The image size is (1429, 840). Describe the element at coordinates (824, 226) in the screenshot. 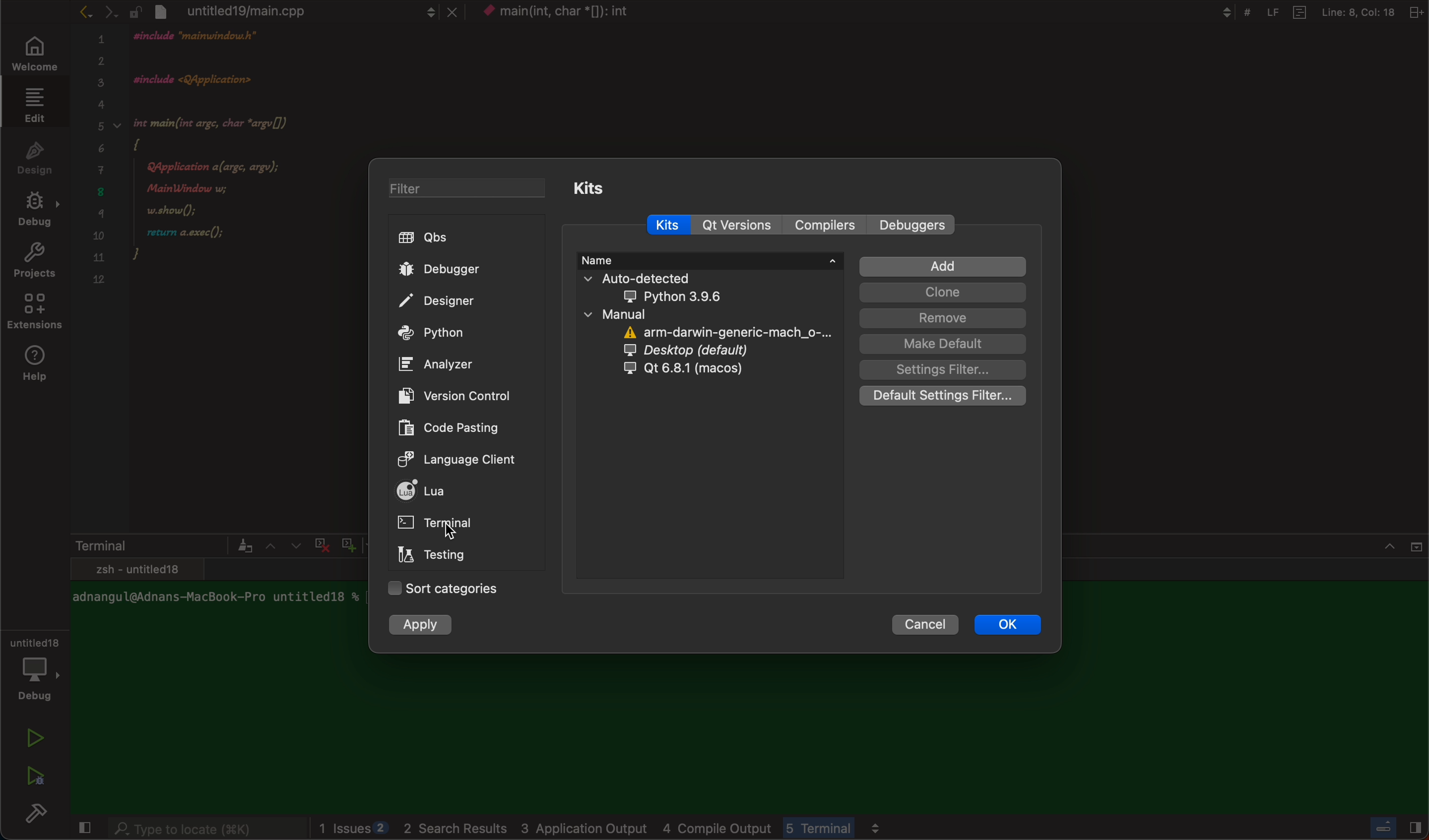

I see `compilers` at that location.